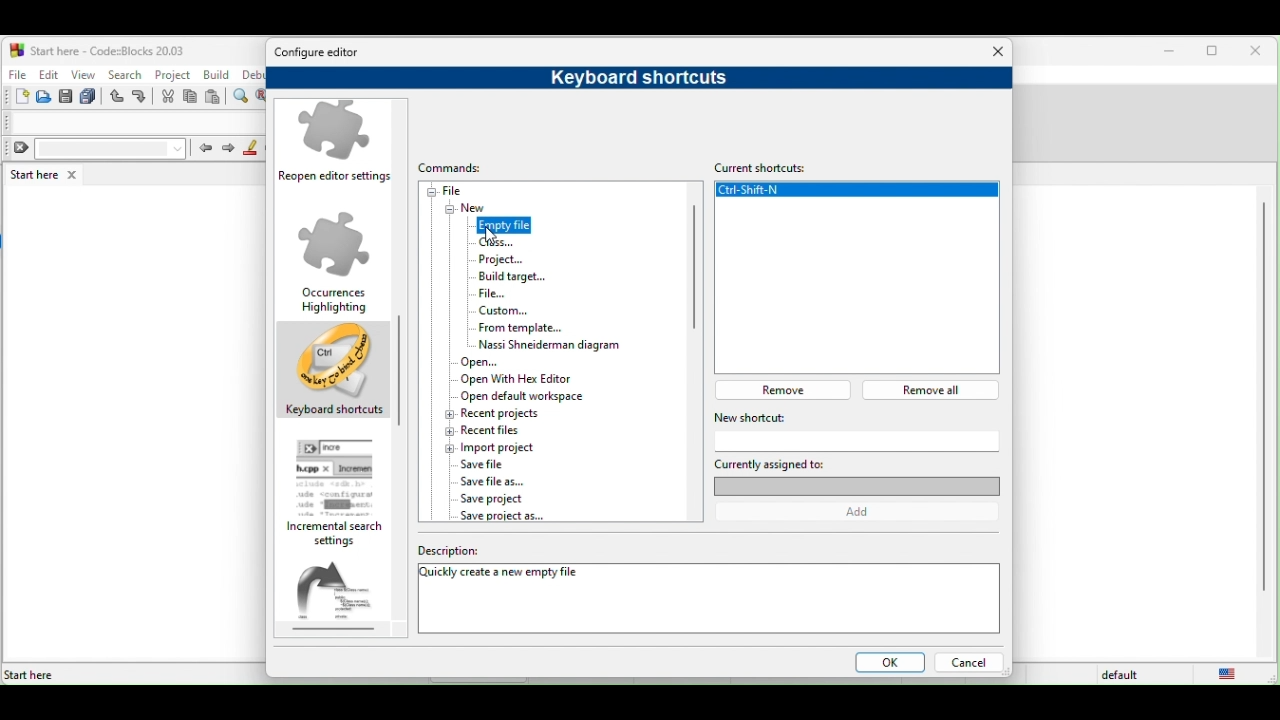 The image size is (1280, 720). I want to click on incremental search setting, so click(341, 493).